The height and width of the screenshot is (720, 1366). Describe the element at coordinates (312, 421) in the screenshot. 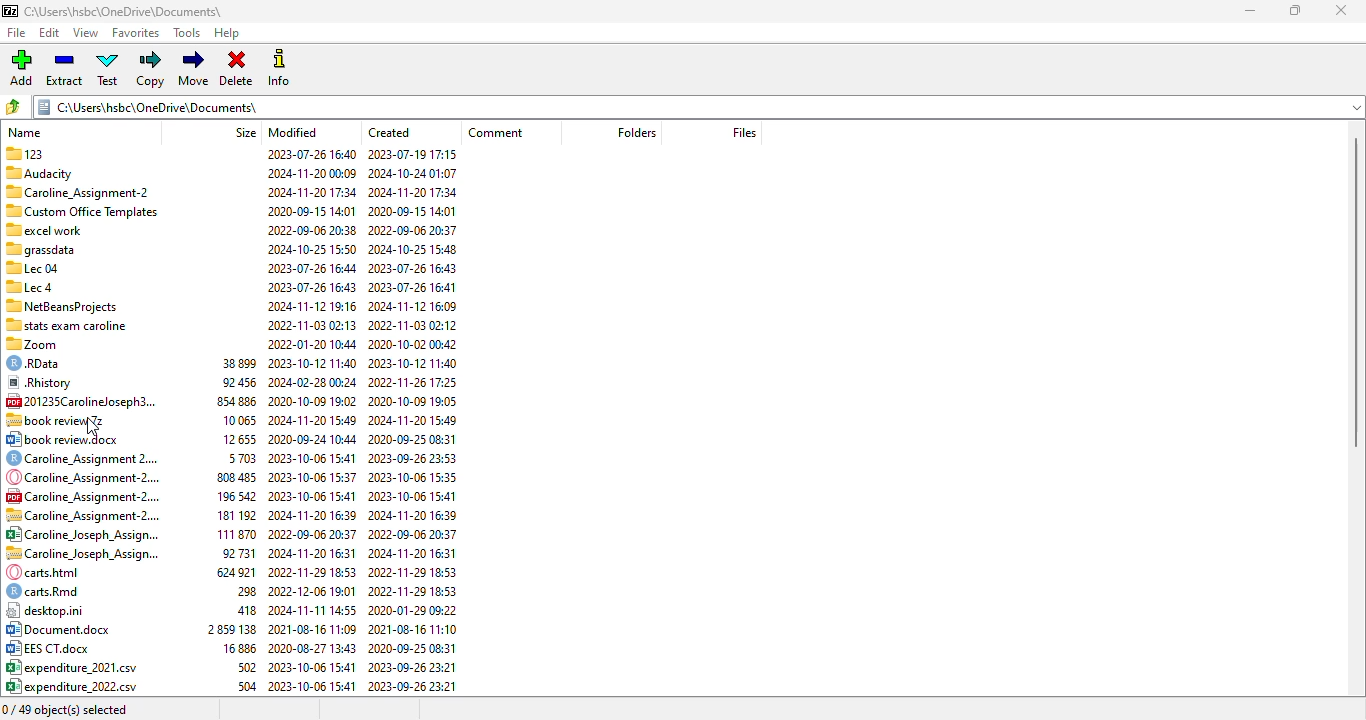

I see `modified date & time` at that location.